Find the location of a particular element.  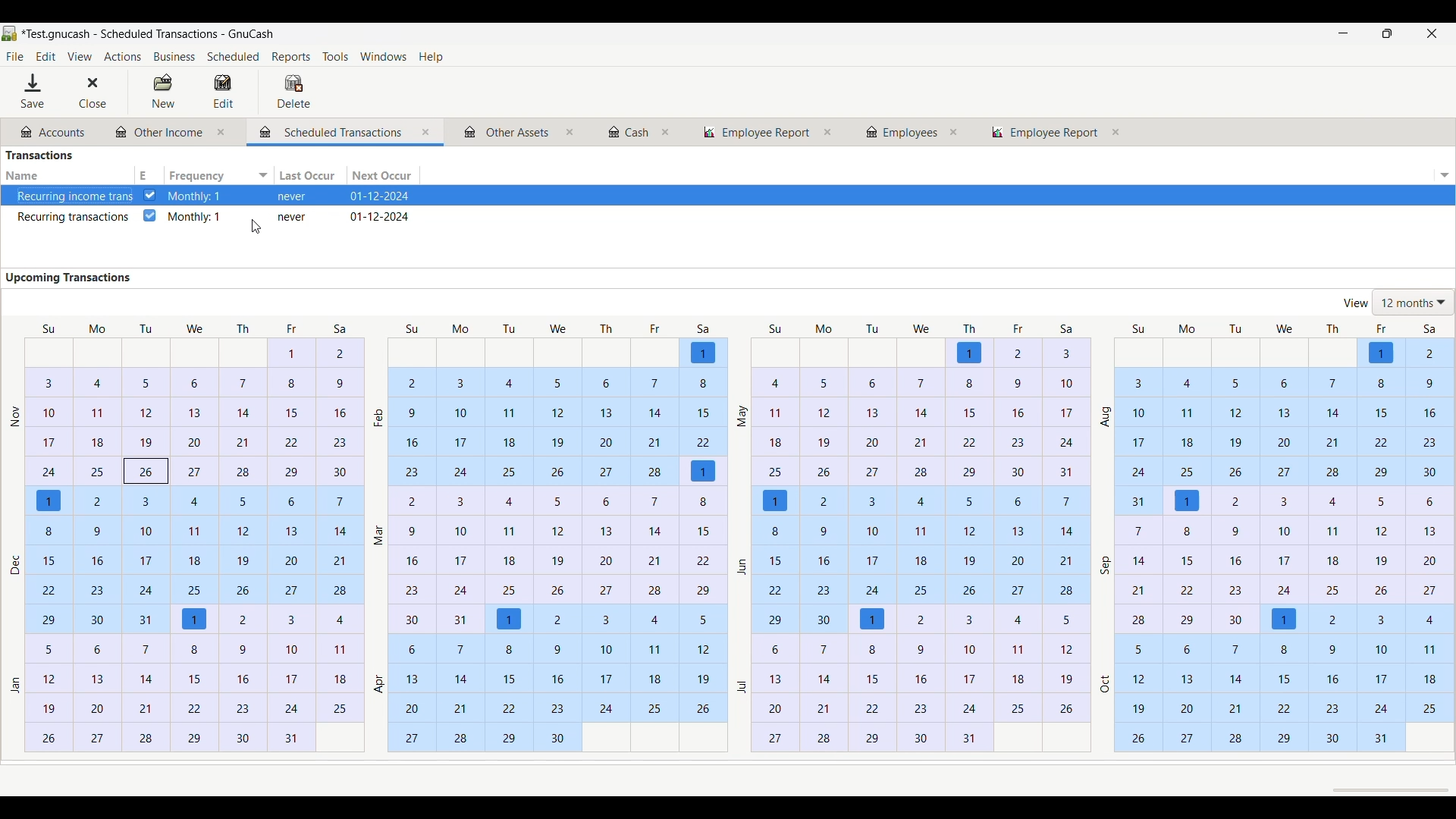

monthly: 1 is located at coordinates (196, 218).